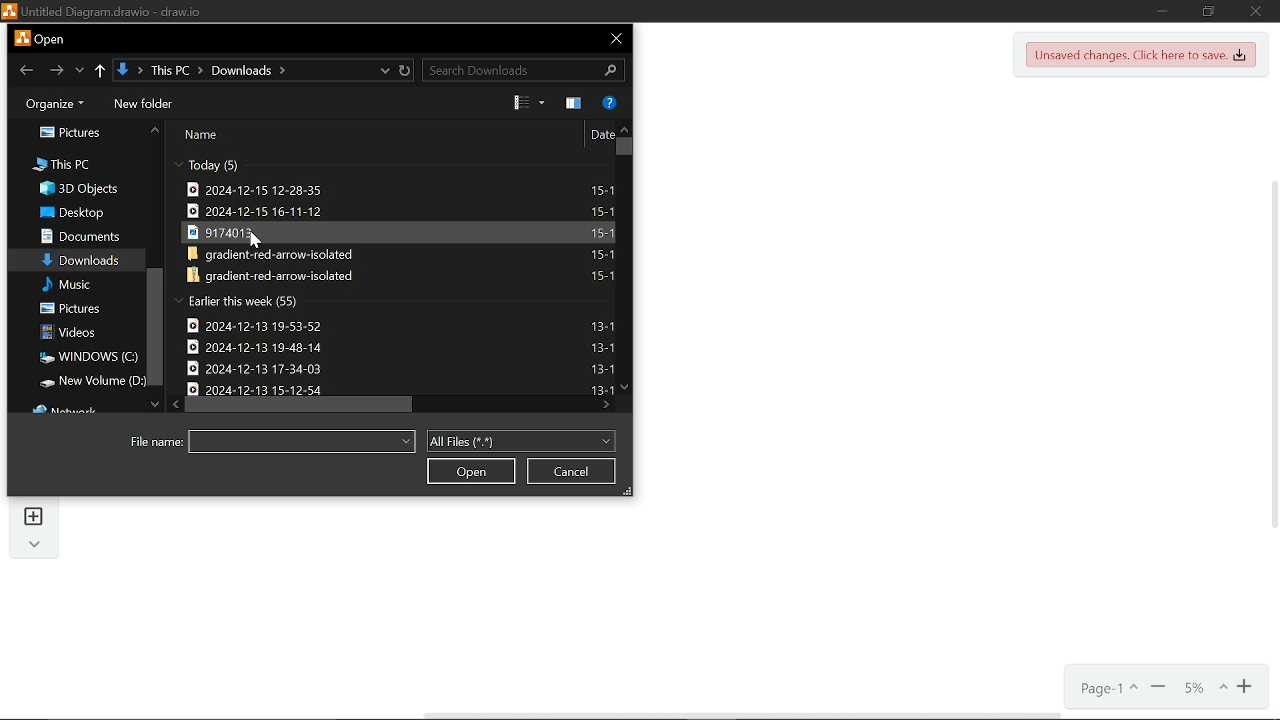  I want to click on  zoom options, so click(1198, 684).